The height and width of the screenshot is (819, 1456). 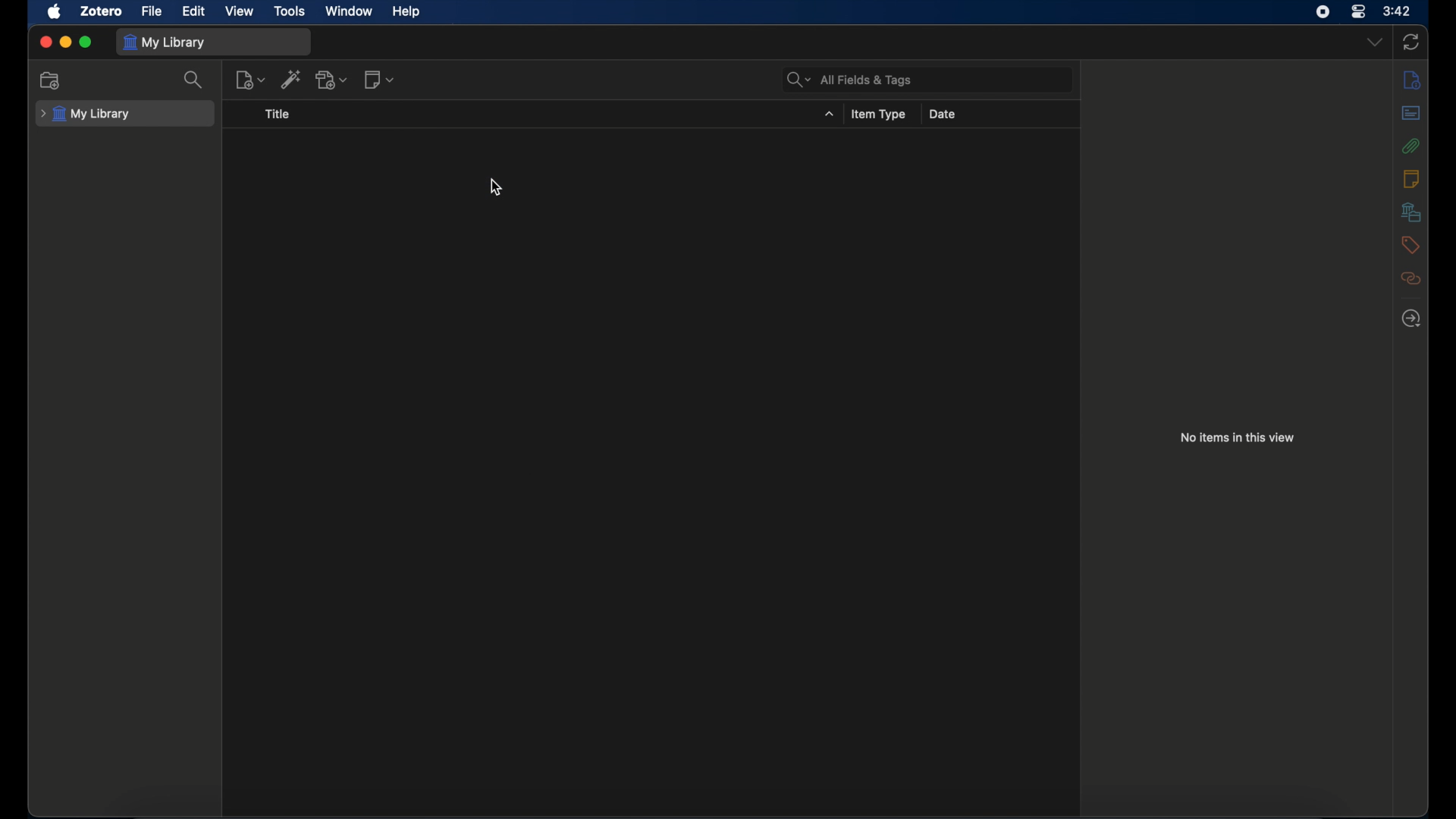 I want to click on screen recorder, so click(x=1323, y=12).